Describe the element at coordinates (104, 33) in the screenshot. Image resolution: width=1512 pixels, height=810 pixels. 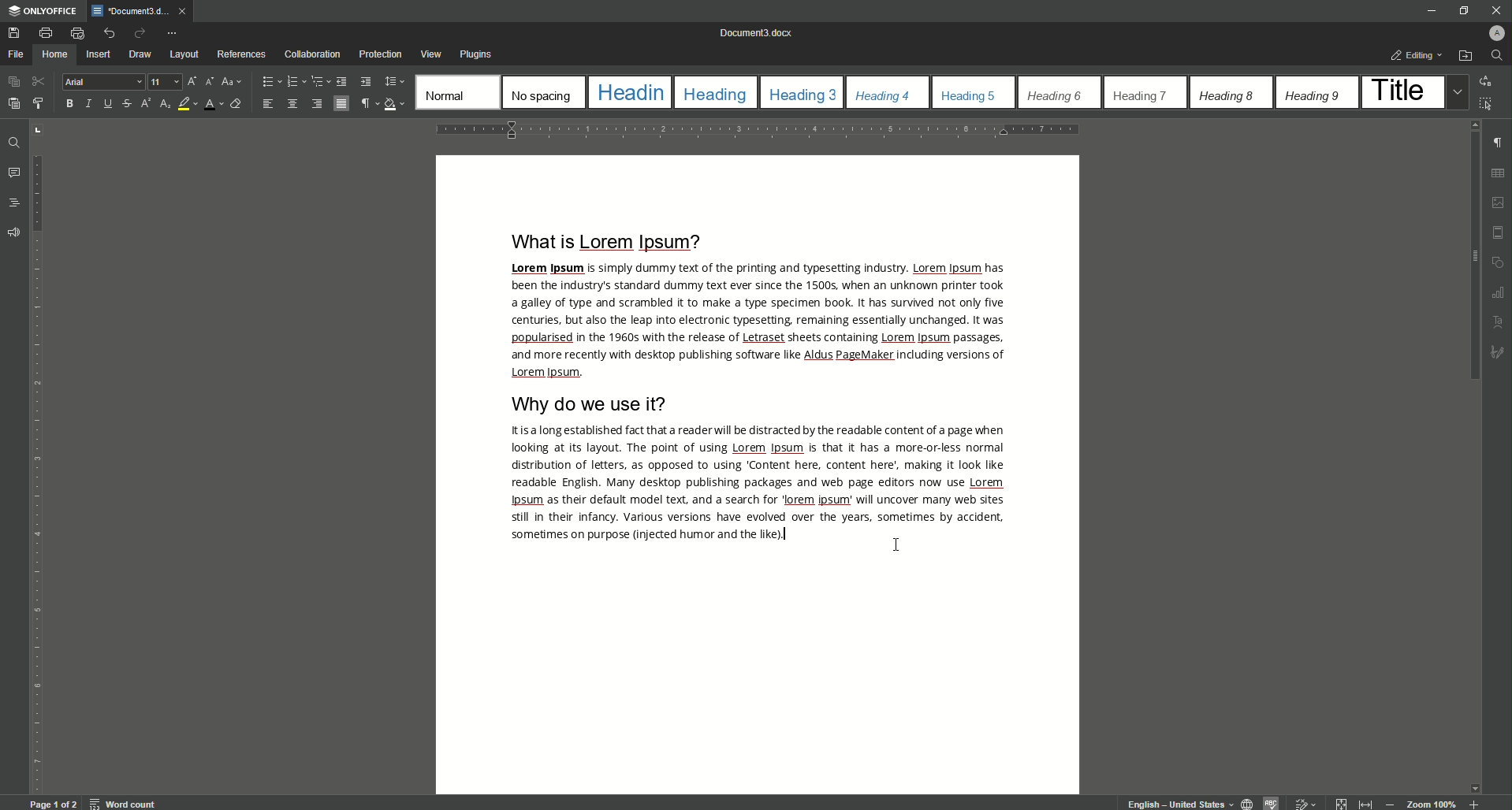
I see `Undo` at that location.